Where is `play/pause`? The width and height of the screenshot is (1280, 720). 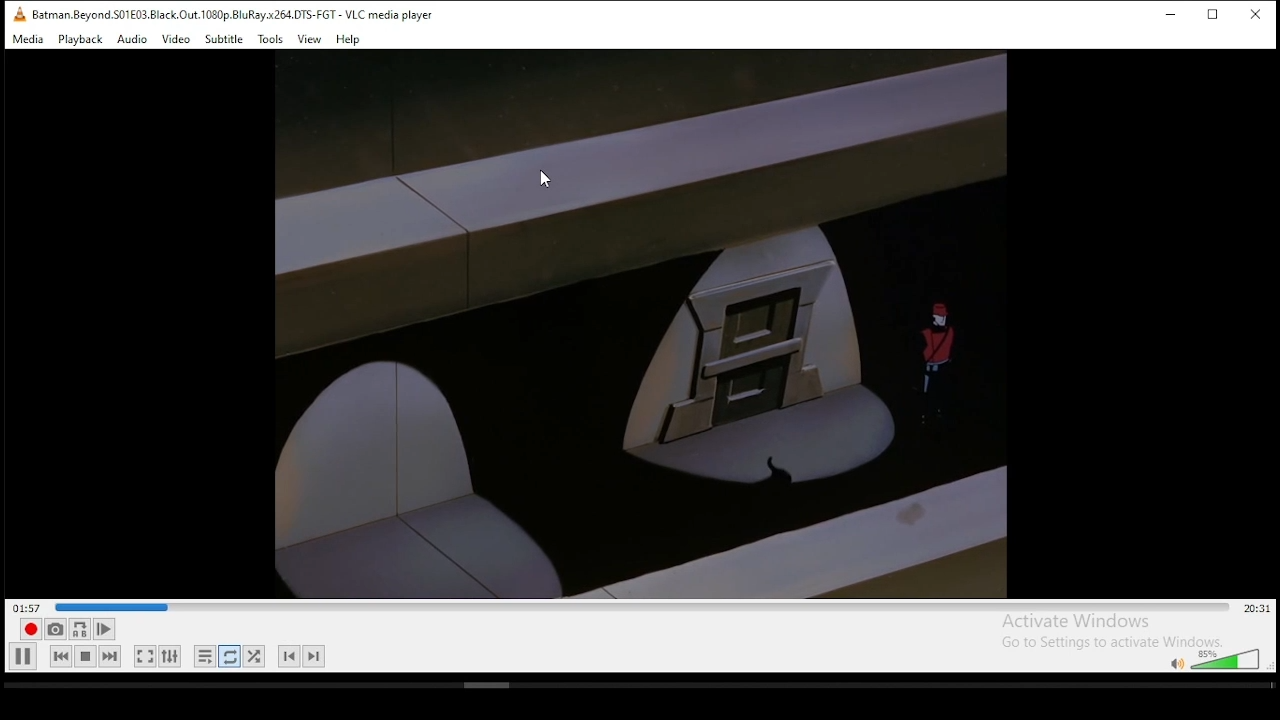 play/pause is located at coordinates (23, 657).